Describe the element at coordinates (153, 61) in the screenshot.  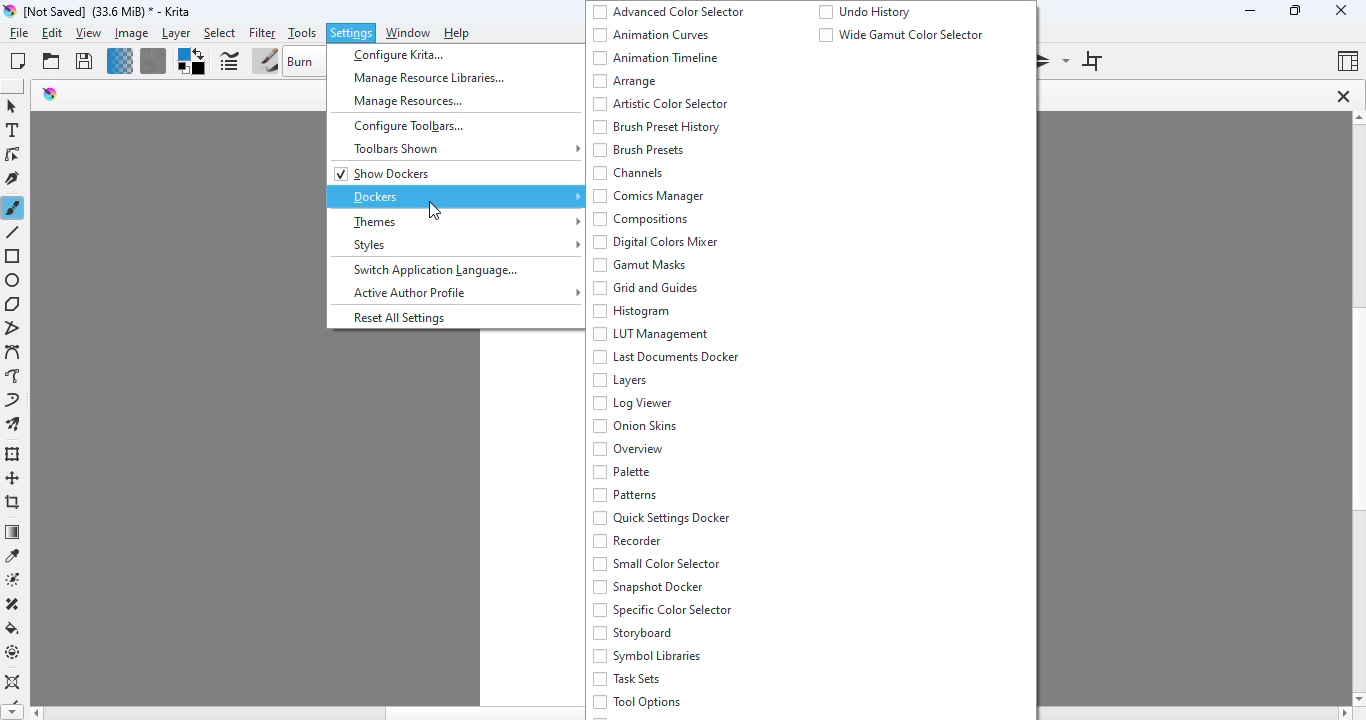
I see `fill pattern` at that location.